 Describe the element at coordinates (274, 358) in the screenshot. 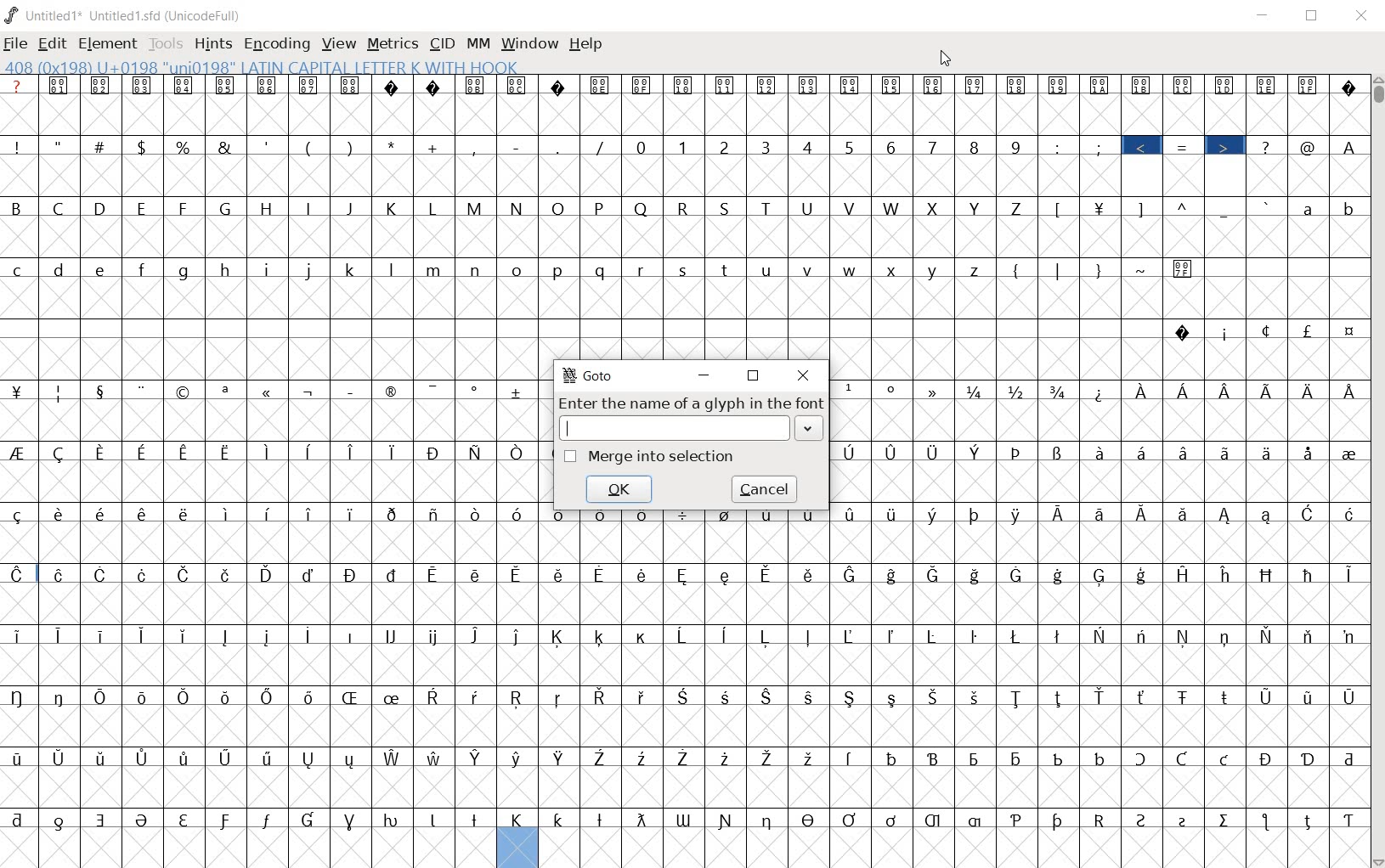

I see `empty glyph slots` at that location.